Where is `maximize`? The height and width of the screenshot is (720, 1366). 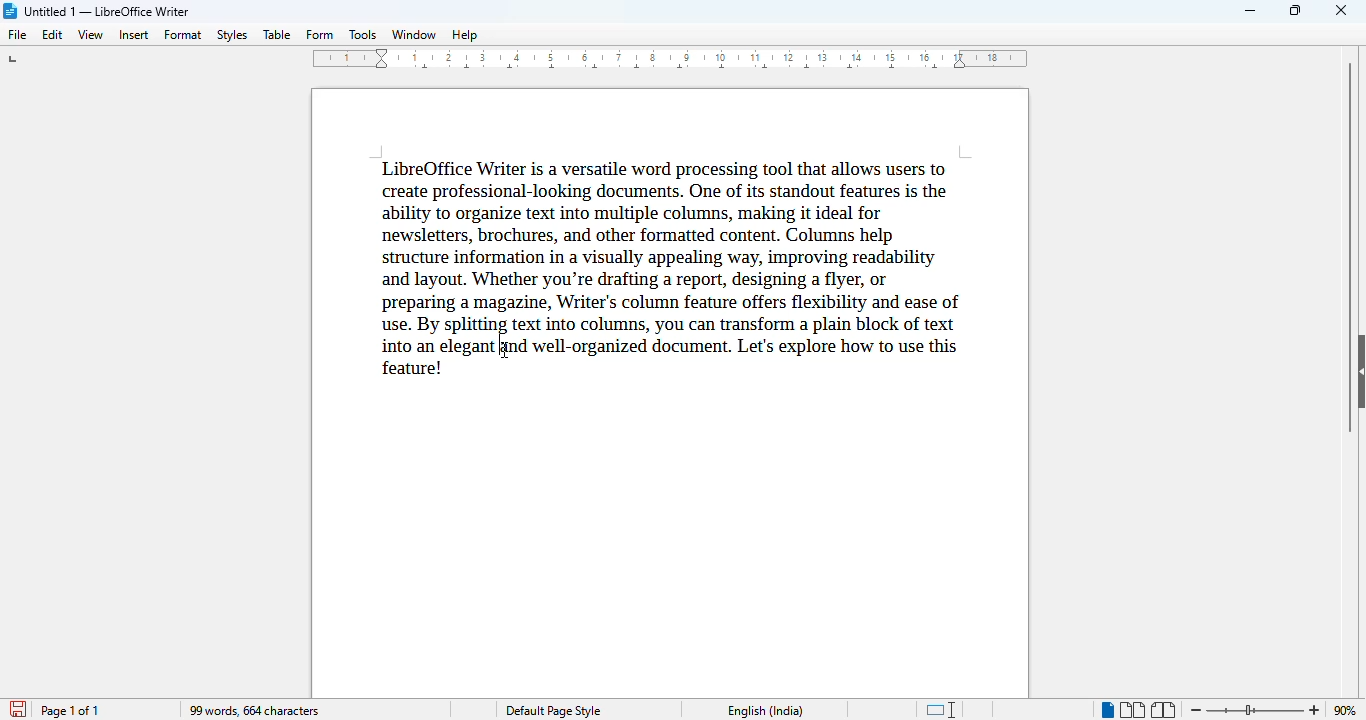
maximize is located at coordinates (1297, 10).